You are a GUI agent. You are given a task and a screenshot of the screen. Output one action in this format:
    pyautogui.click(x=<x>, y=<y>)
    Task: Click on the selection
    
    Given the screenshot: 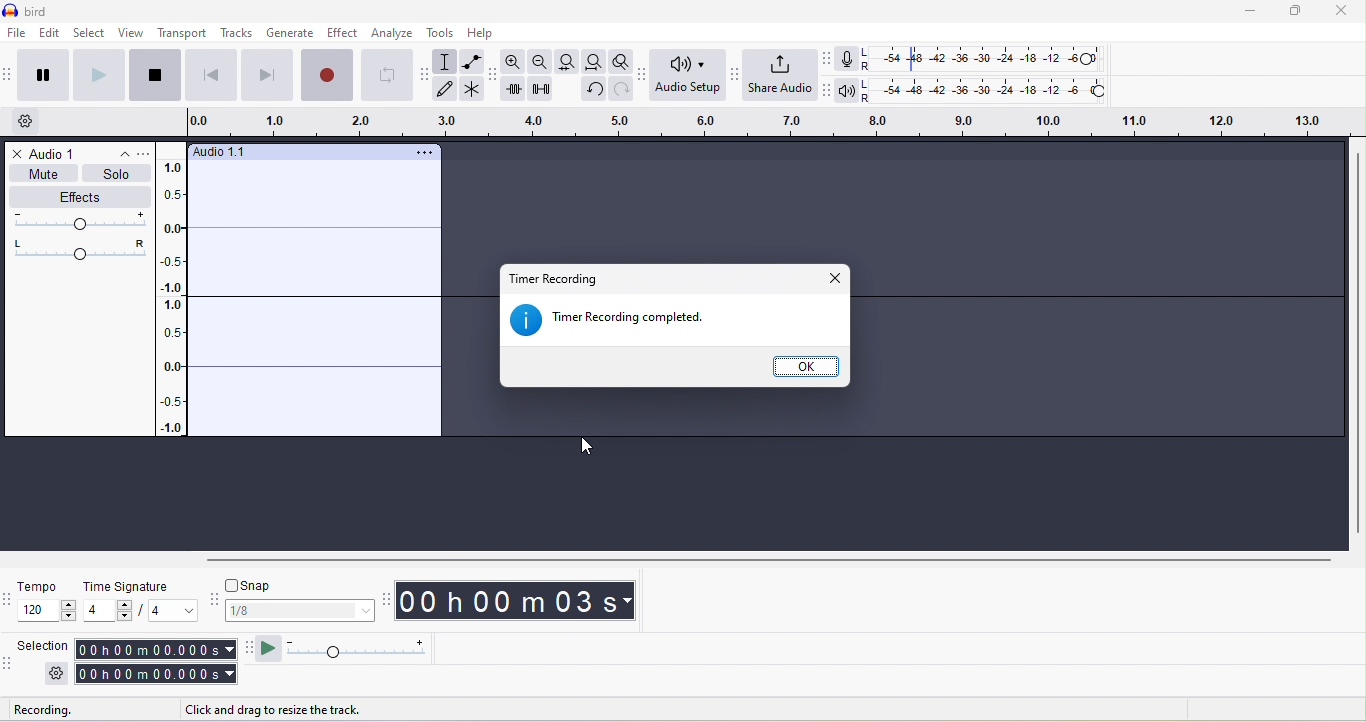 What is the action you would take?
    pyautogui.click(x=46, y=643)
    